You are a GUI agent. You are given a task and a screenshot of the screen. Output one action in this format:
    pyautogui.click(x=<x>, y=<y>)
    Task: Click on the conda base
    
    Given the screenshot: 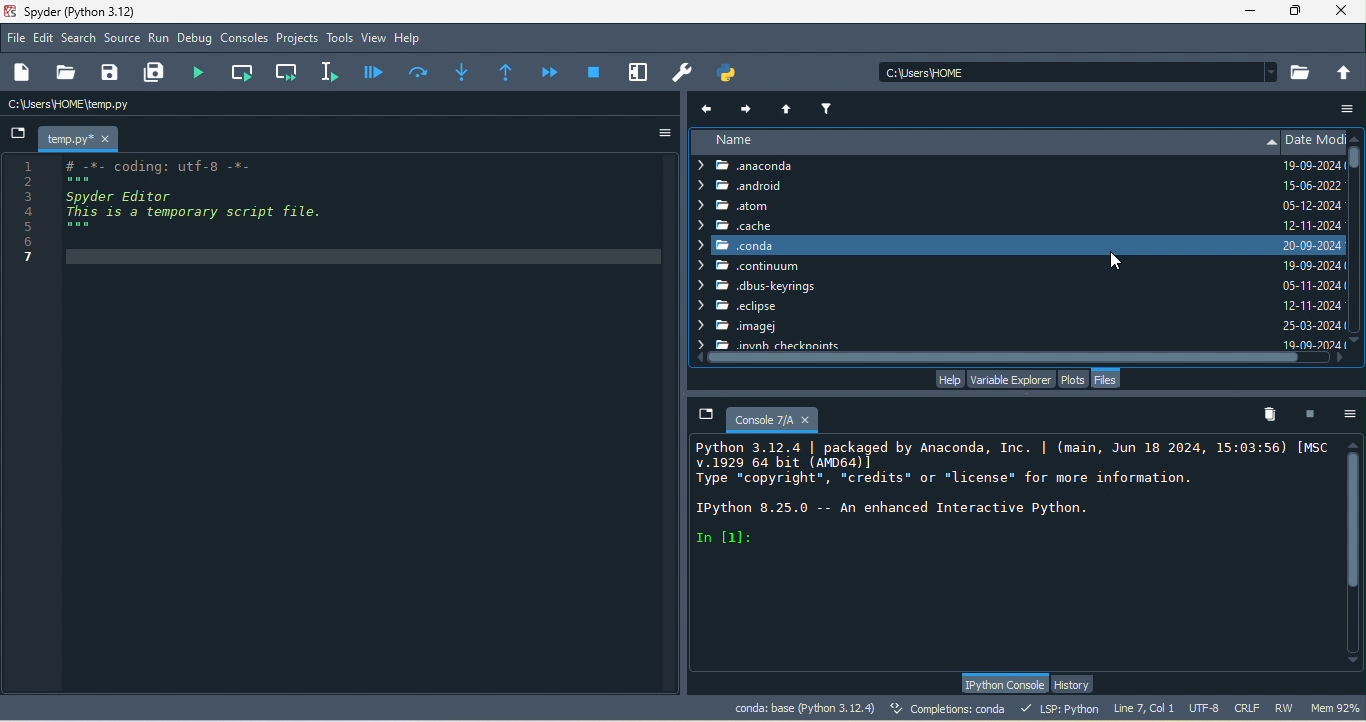 What is the action you would take?
    pyautogui.click(x=804, y=708)
    